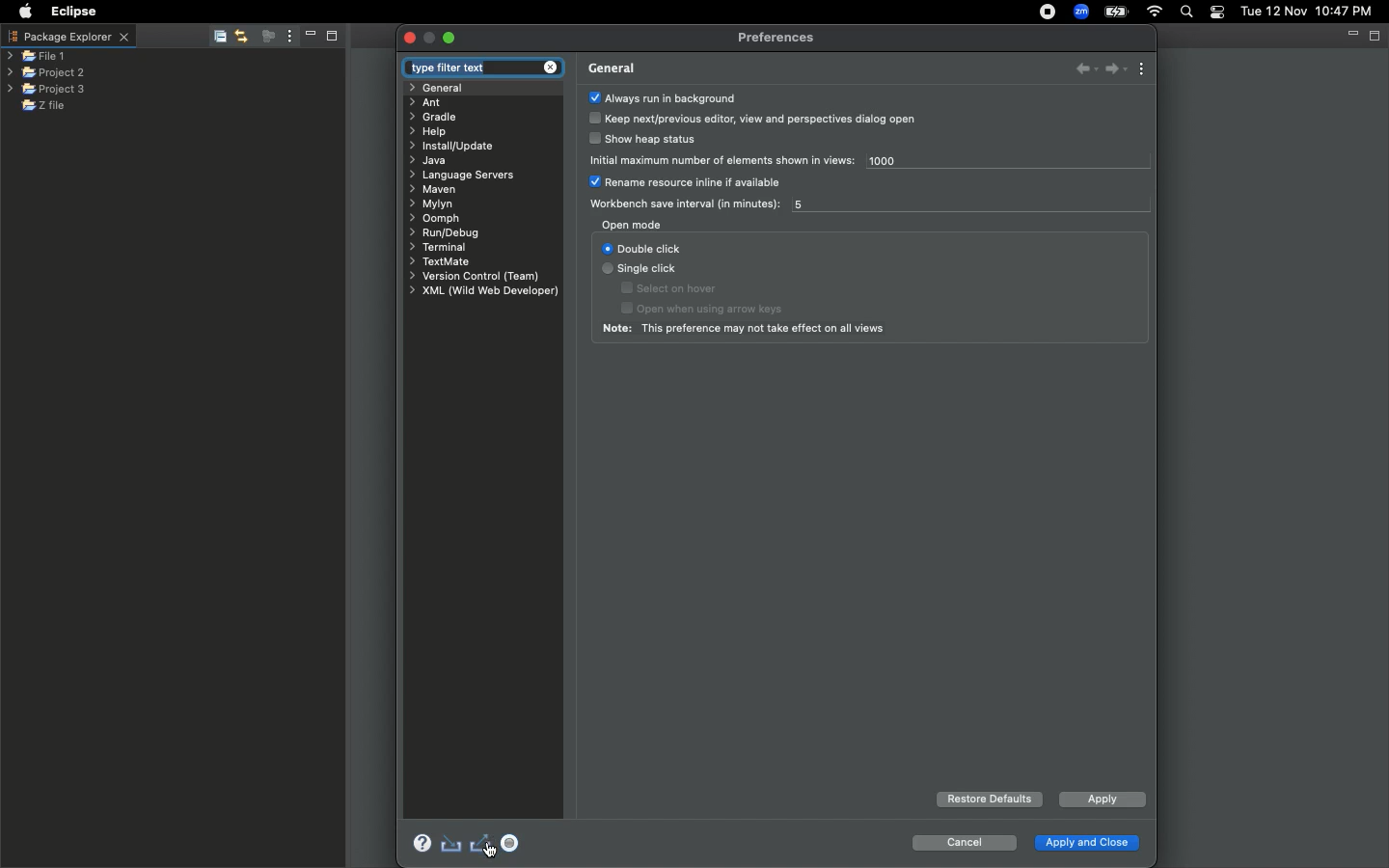 The image size is (1389, 868). I want to click on Link with editor, so click(242, 35).